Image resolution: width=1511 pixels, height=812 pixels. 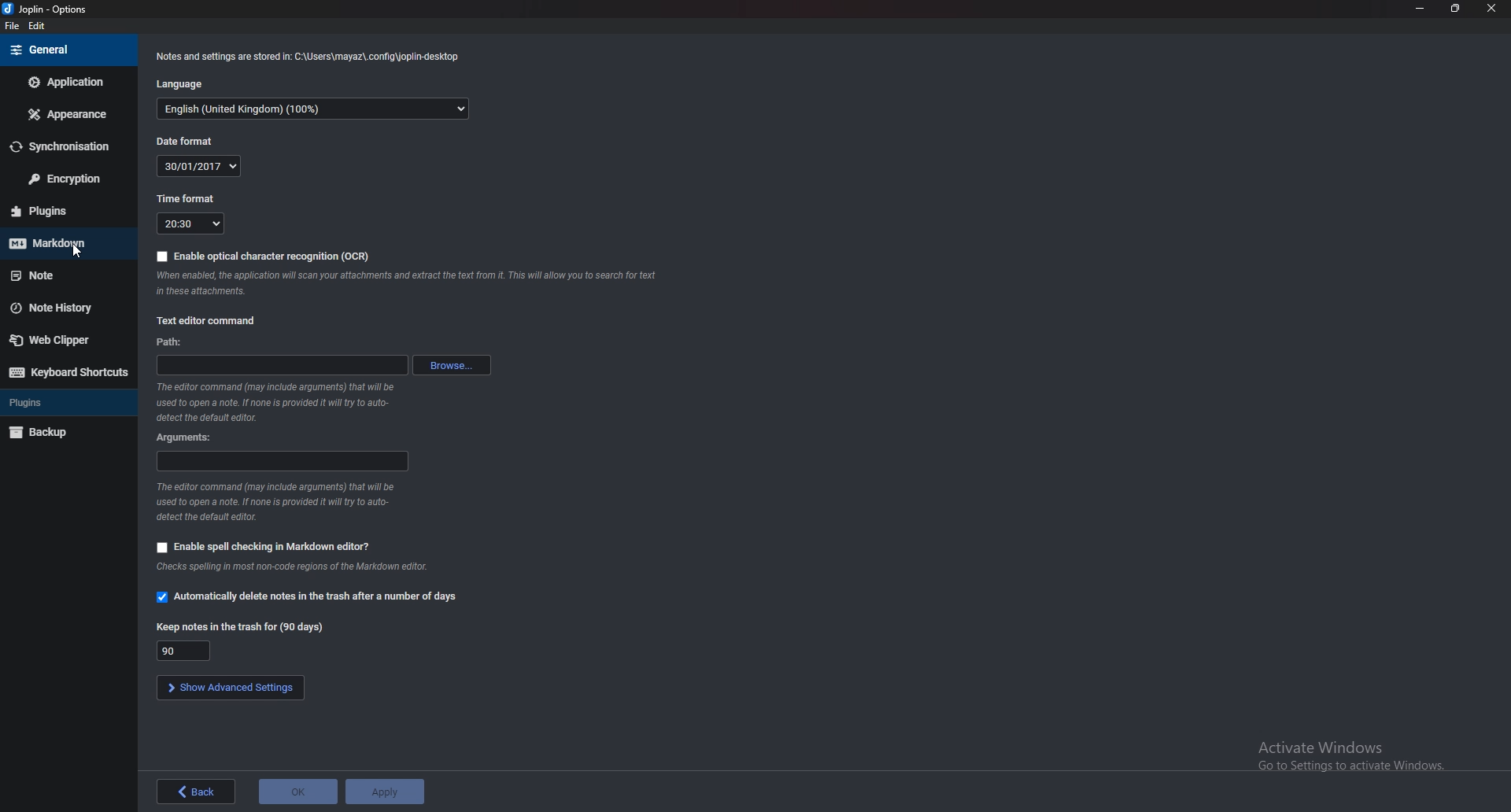 I want to click on language, so click(x=313, y=108).